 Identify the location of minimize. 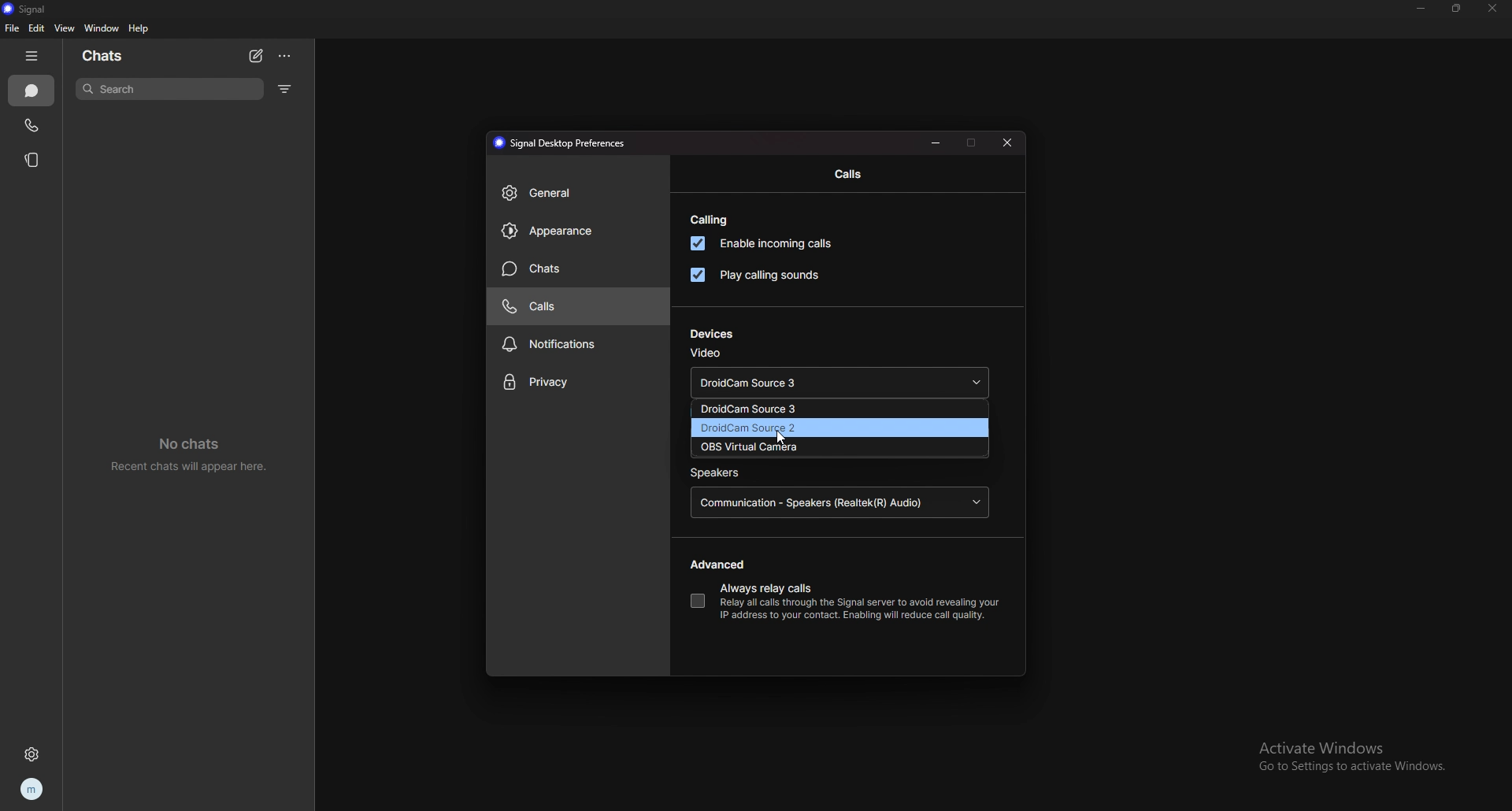
(937, 142).